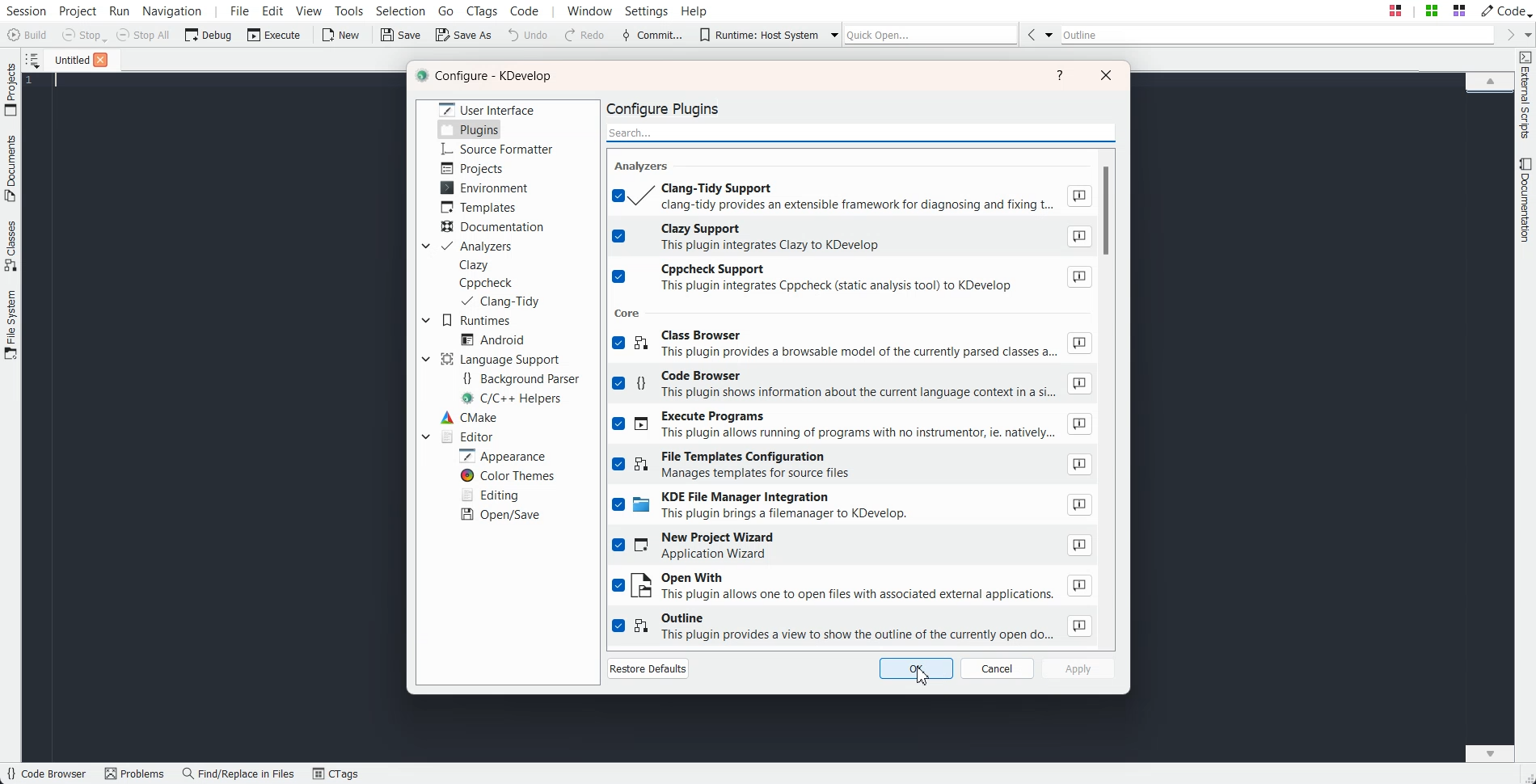  I want to click on Text, so click(629, 312).